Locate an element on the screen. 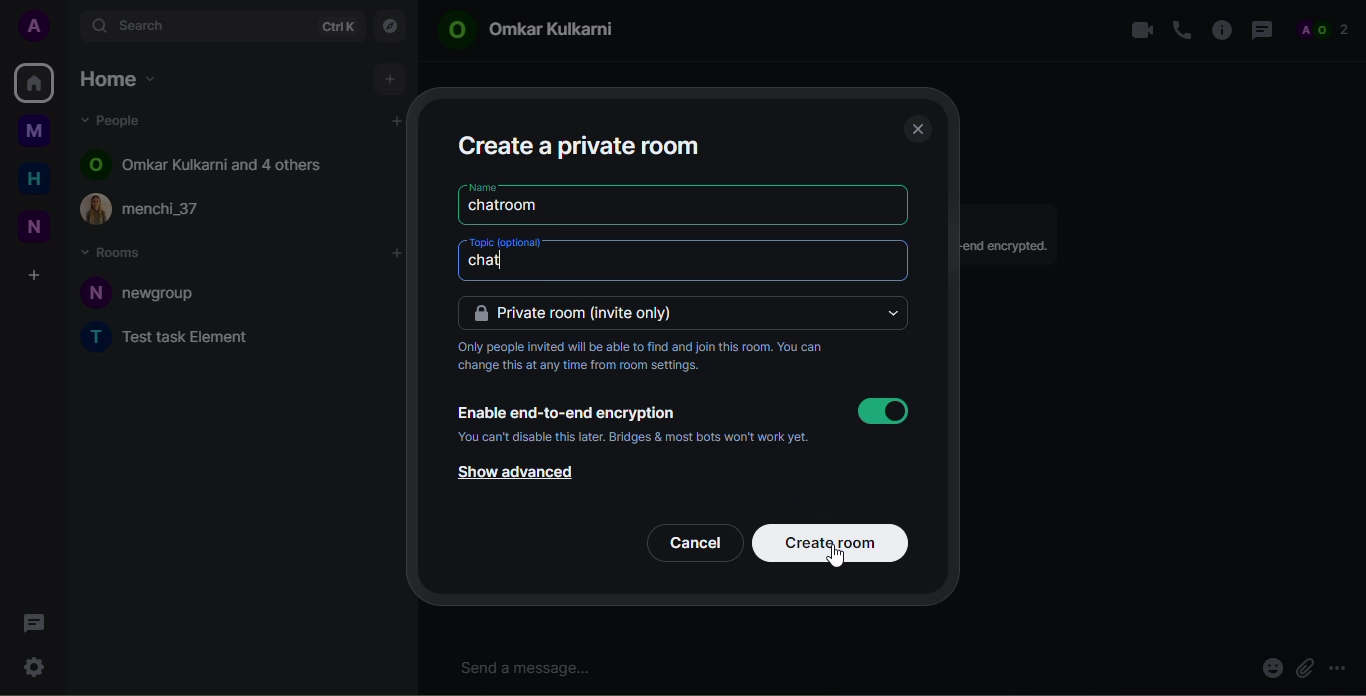 The width and height of the screenshot is (1366, 696). emoji is located at coordinates (1270, 670).